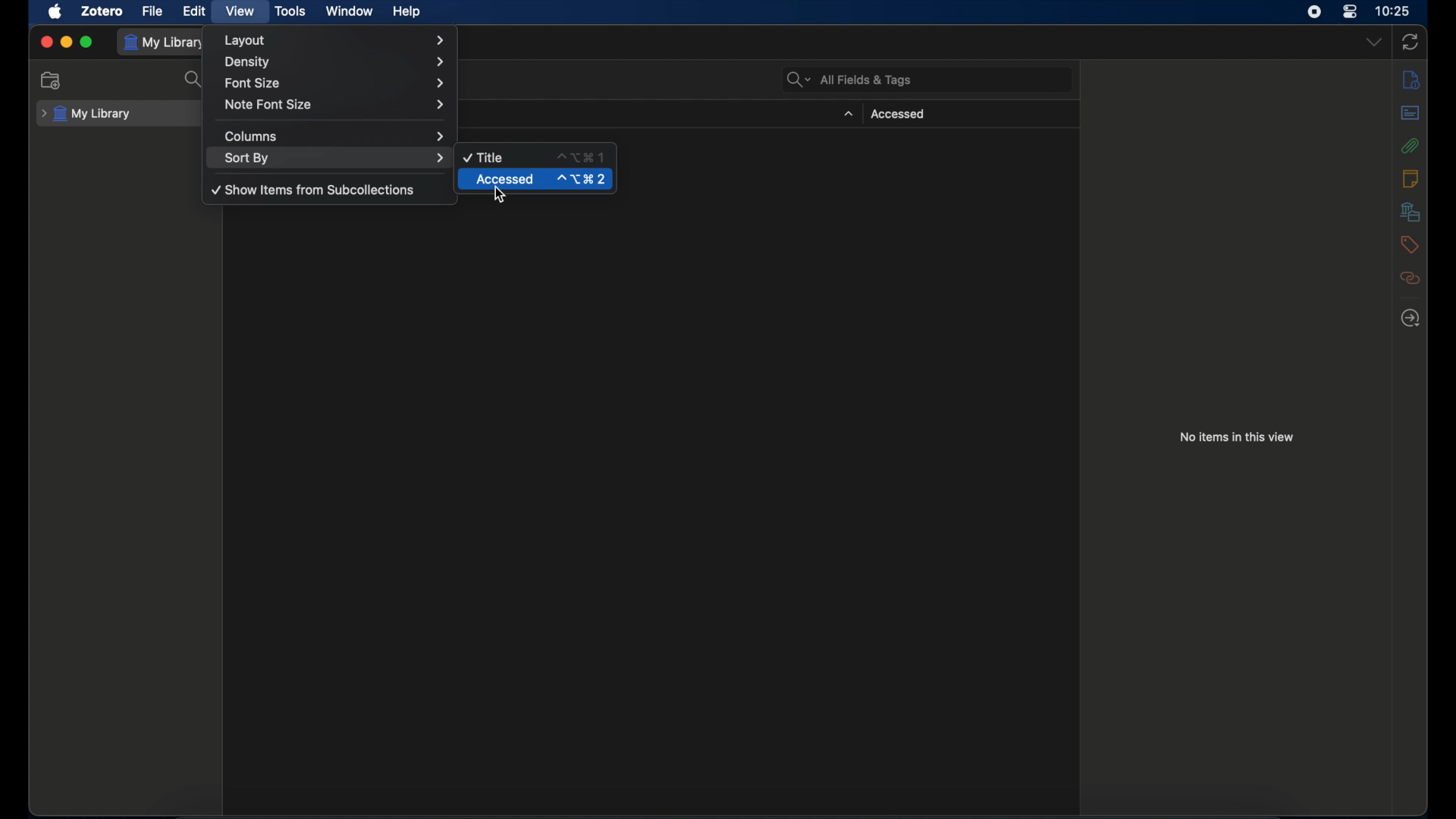 The image size is (1456, 819). Describe the element at coordinates (1410, 212) in the screenshot. I see `libraries` at that location.